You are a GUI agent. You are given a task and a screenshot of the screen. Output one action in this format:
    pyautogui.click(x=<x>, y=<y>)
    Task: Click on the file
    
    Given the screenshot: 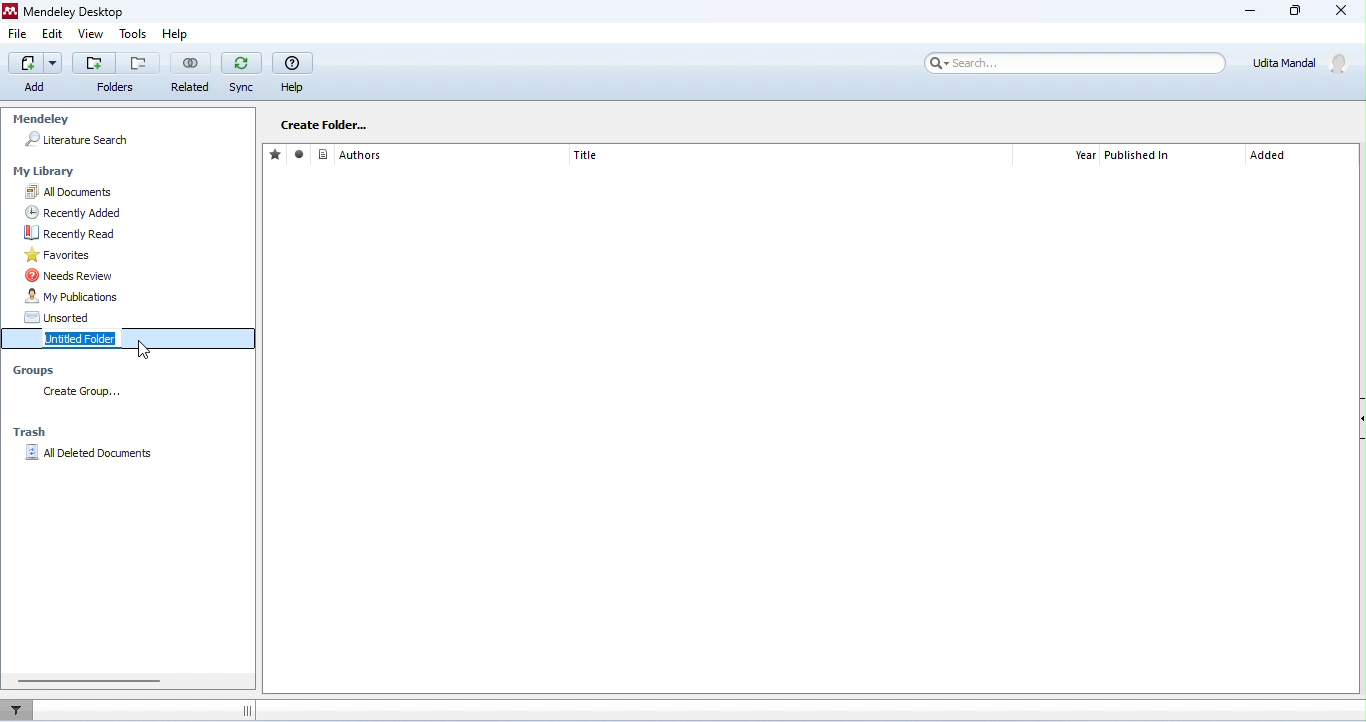 What is the action you would take?
    pyautogui.click(x=18, y=33)
    